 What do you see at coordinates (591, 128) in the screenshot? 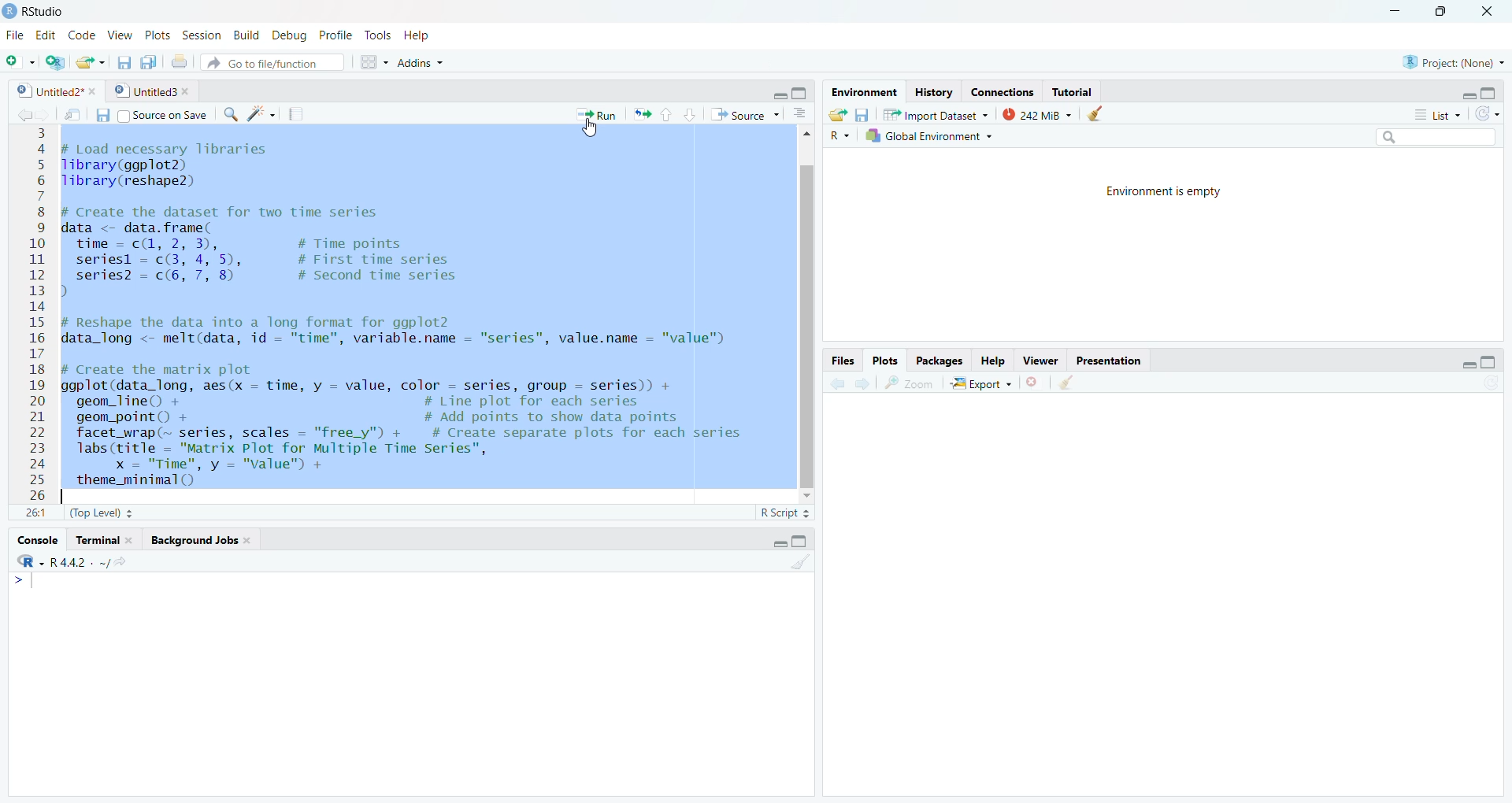
I see `cursor` at bounding box center [591, 128].